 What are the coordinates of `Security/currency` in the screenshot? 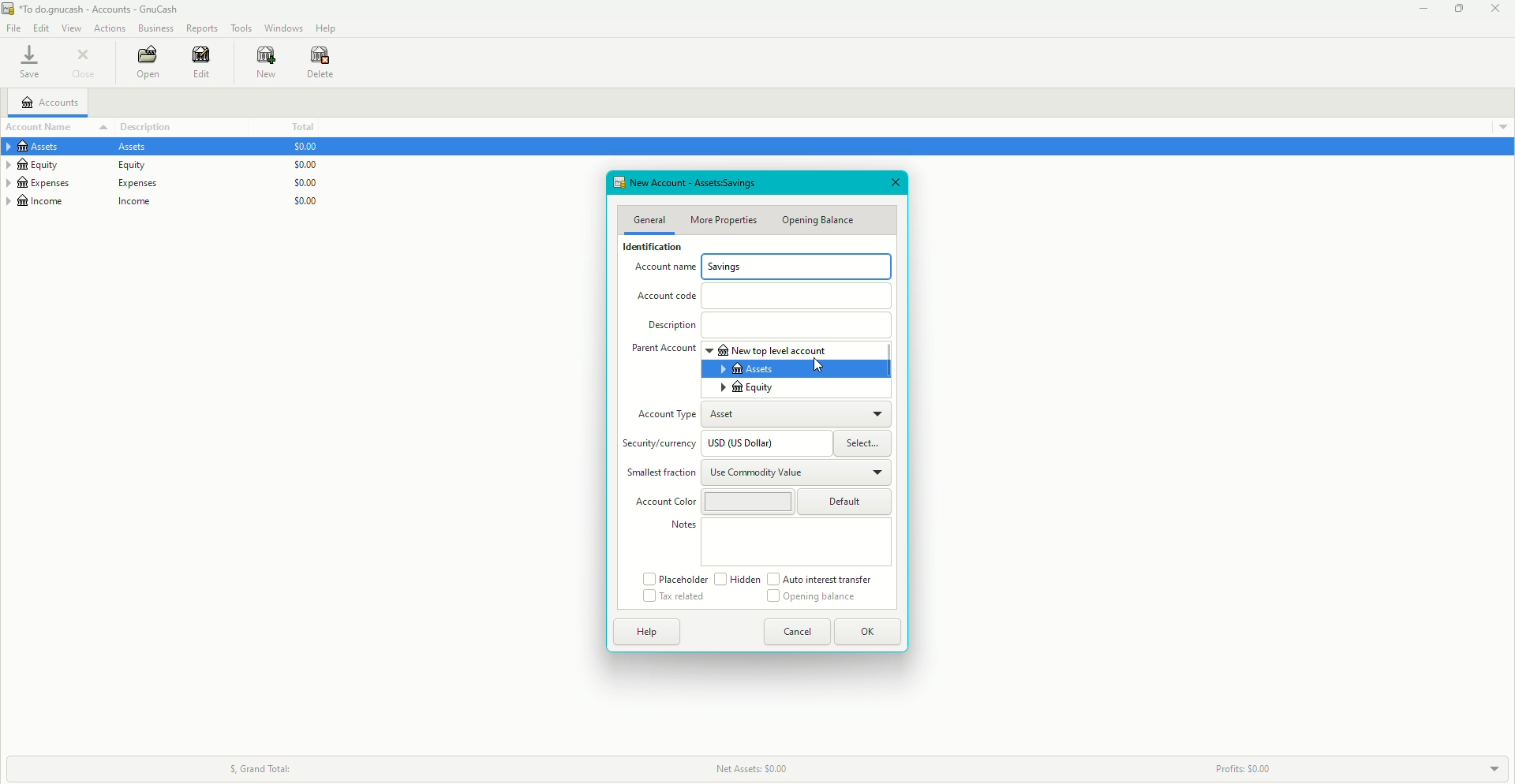 It's located at (661, 446).